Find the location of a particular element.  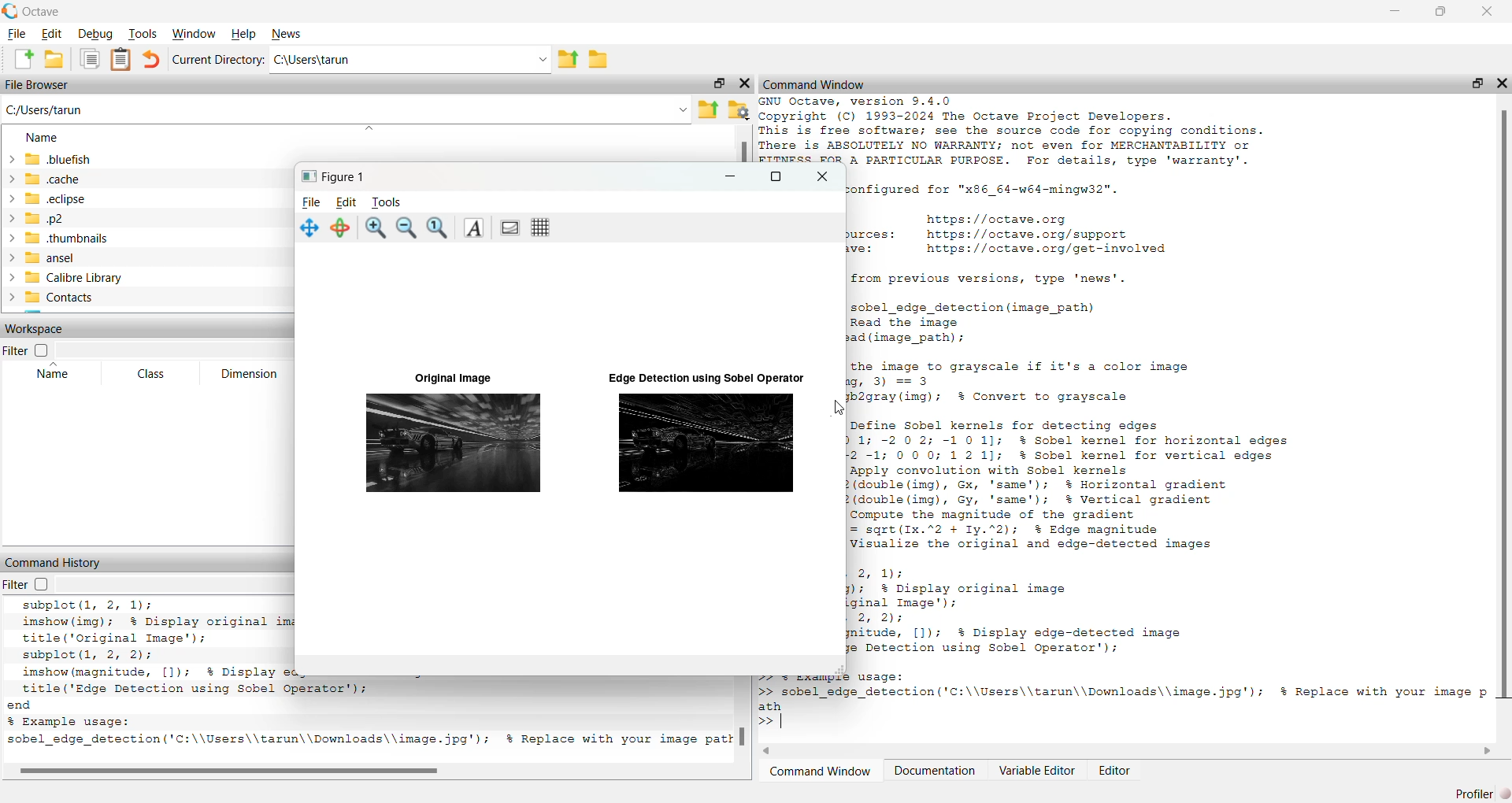

restore down is located at coordinates (1437, 14).